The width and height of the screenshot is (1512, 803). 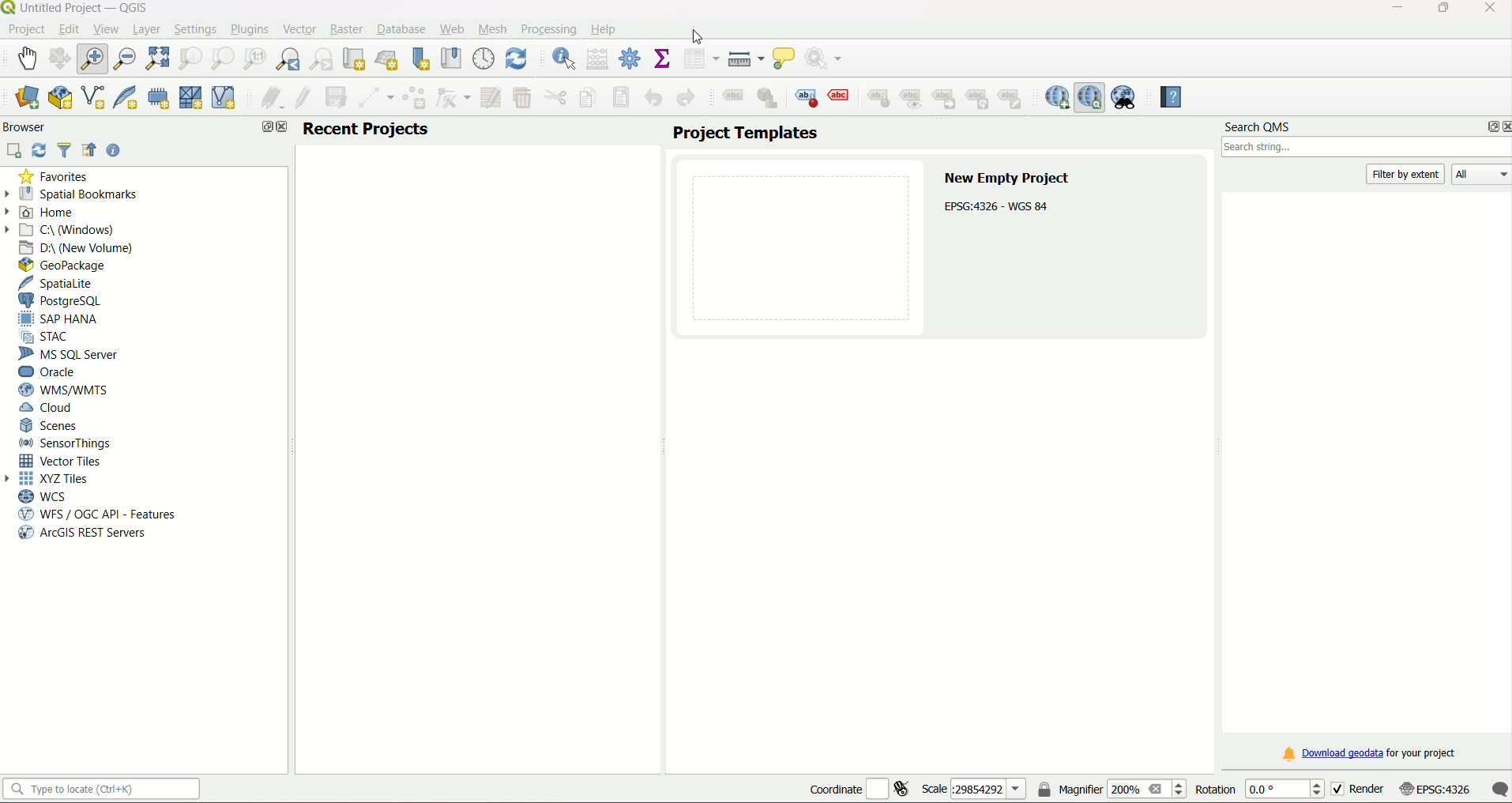 I want to click on cursor, so click(x=692, y=32).